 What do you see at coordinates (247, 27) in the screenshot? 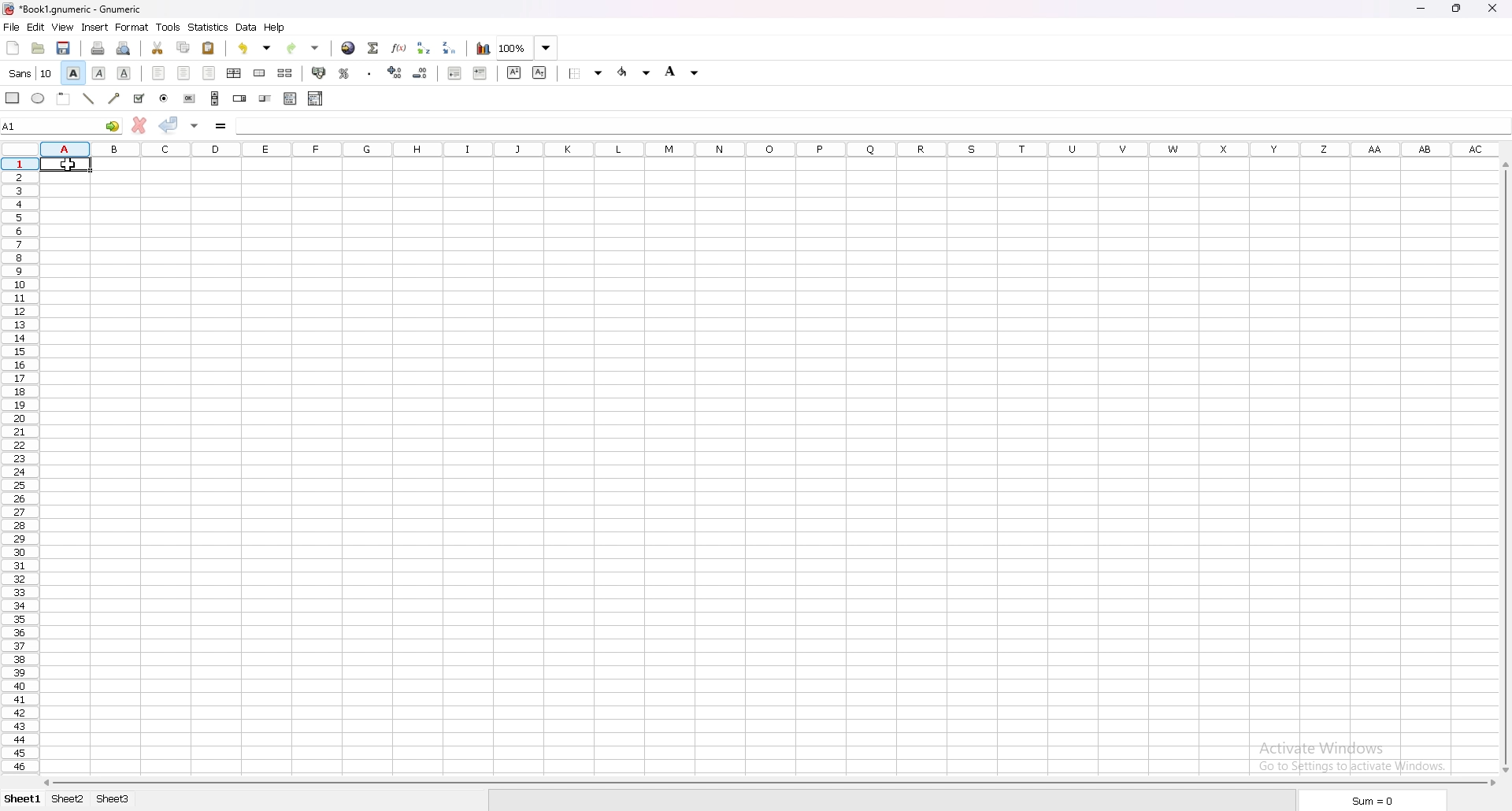
I see `data` at bounding box center [247, 27].